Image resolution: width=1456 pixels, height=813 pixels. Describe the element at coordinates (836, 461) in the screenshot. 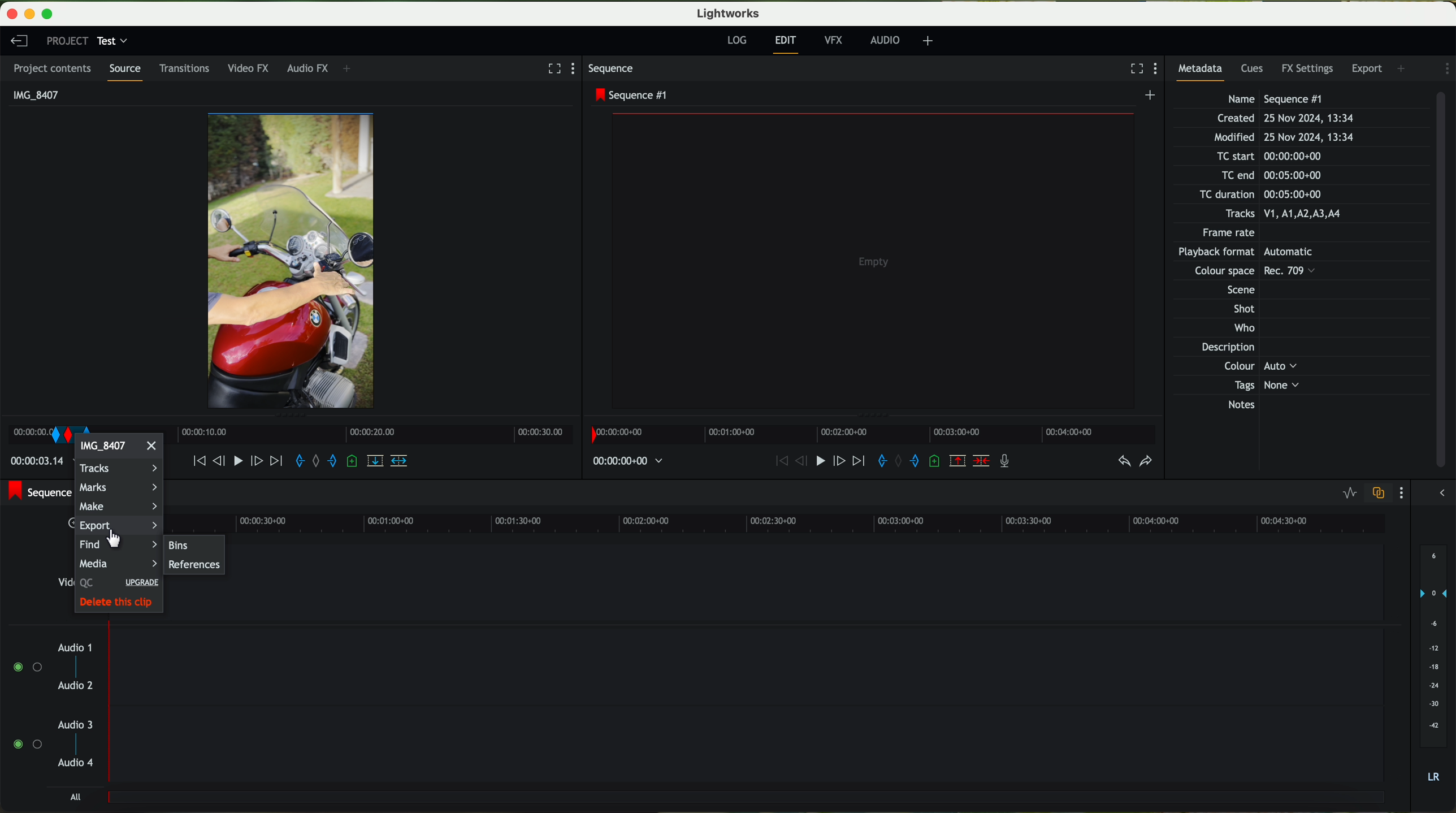

I see `nudge one frame foward` at that location.